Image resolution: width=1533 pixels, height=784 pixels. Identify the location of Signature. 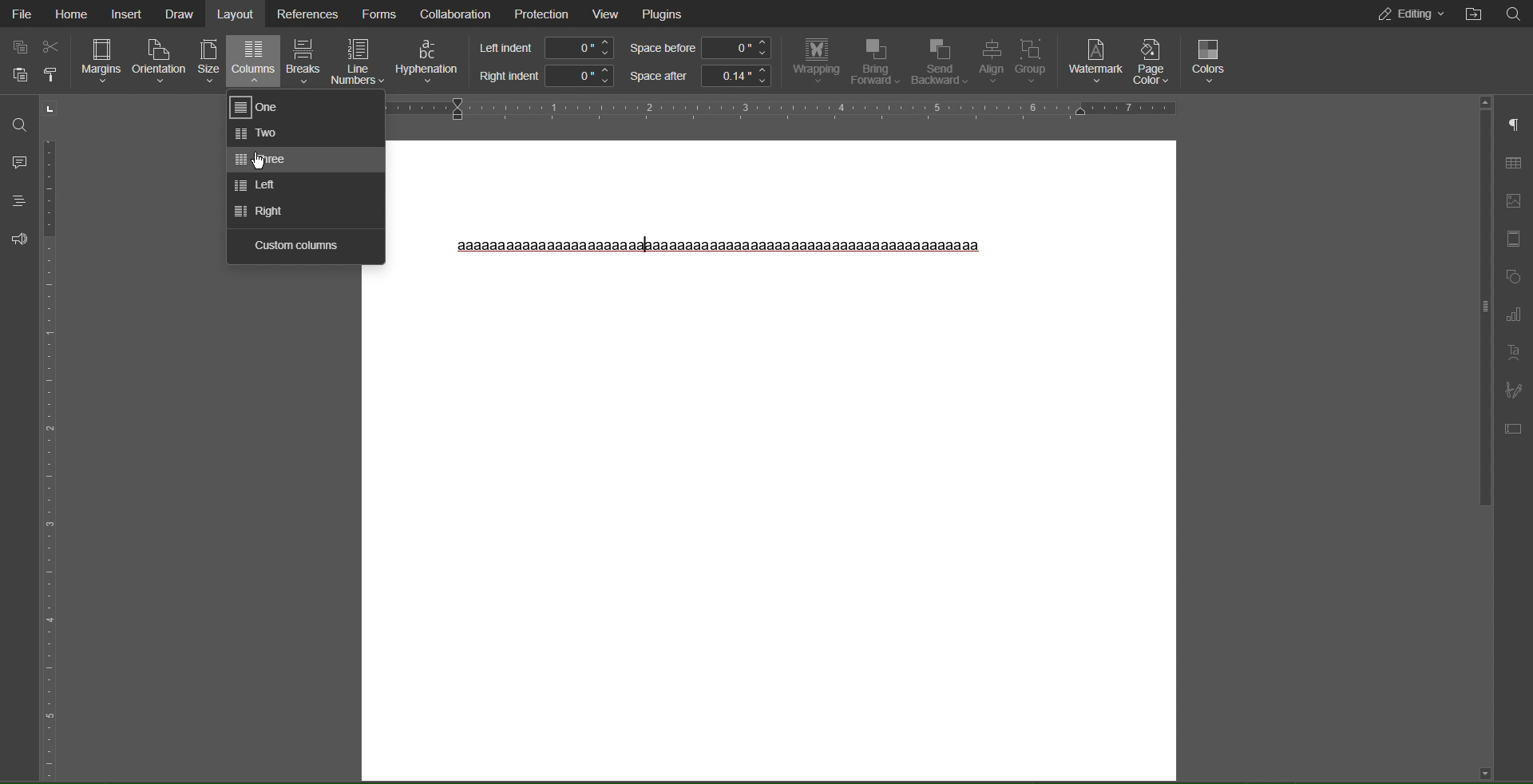
(1513, 388).